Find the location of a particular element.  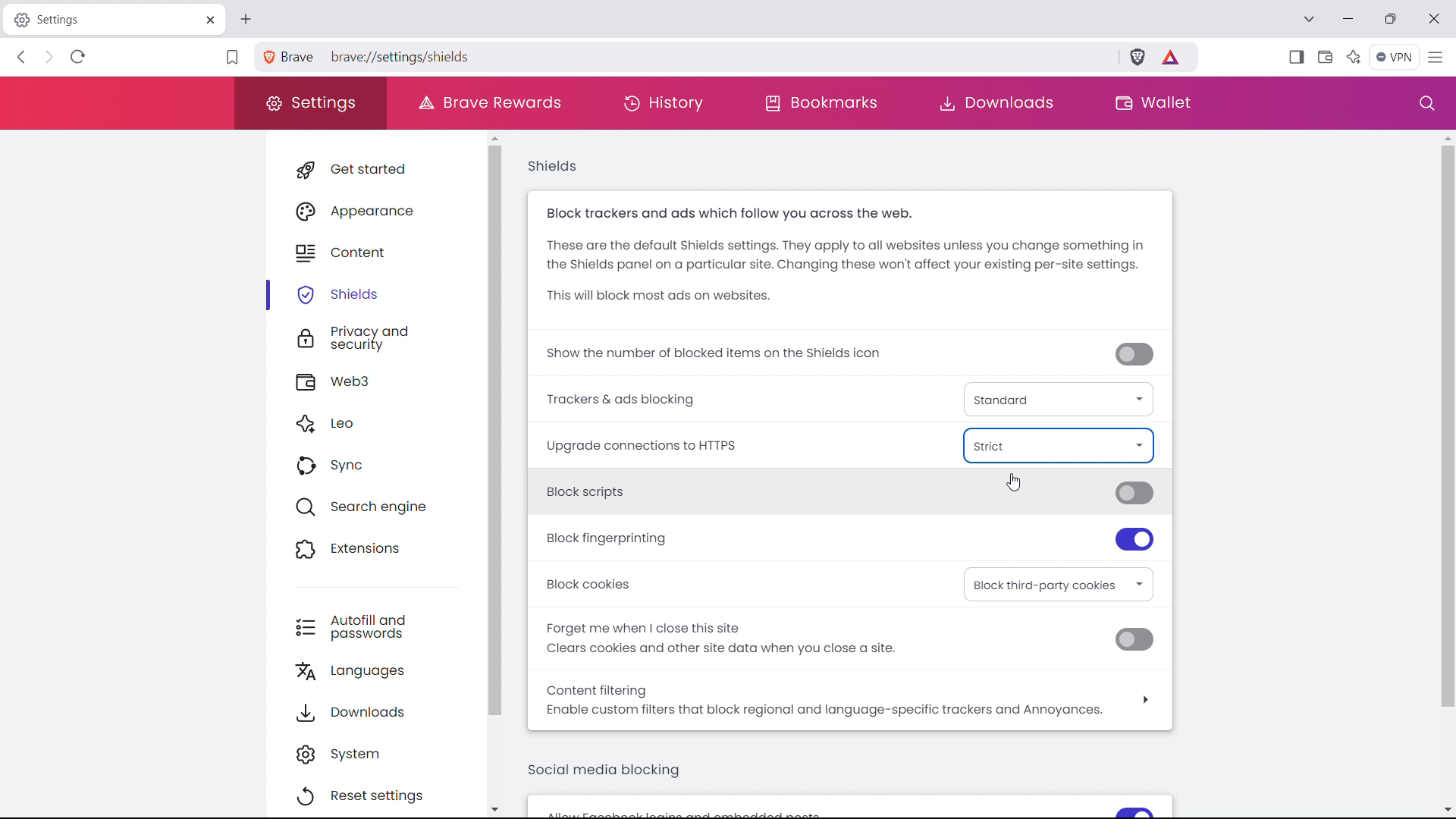

click to go back forward to see history  is located at coordinates (47, 56).